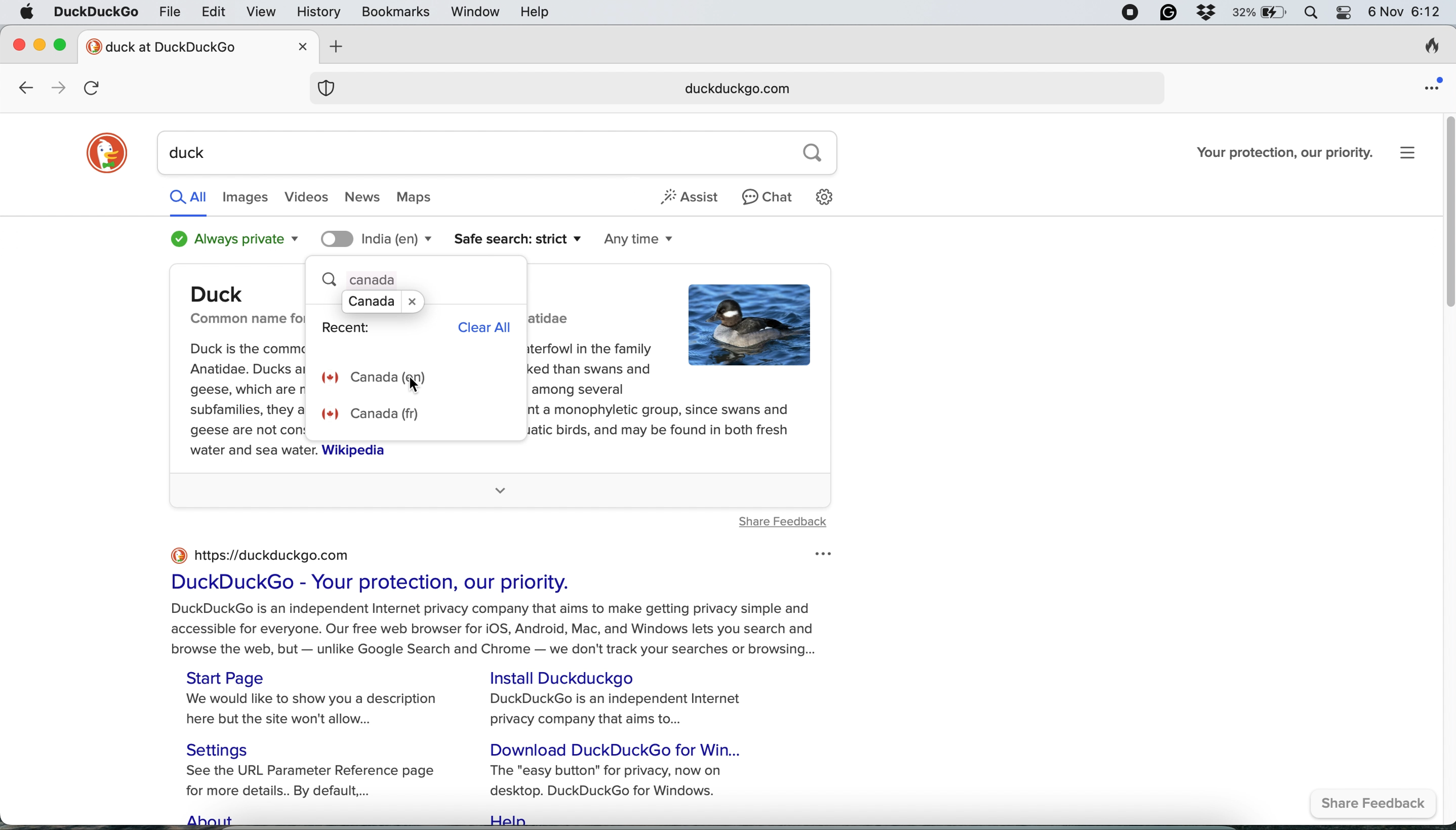 This screenshot has height=830, width=1456. I want to click on search location, so click(395, 239).